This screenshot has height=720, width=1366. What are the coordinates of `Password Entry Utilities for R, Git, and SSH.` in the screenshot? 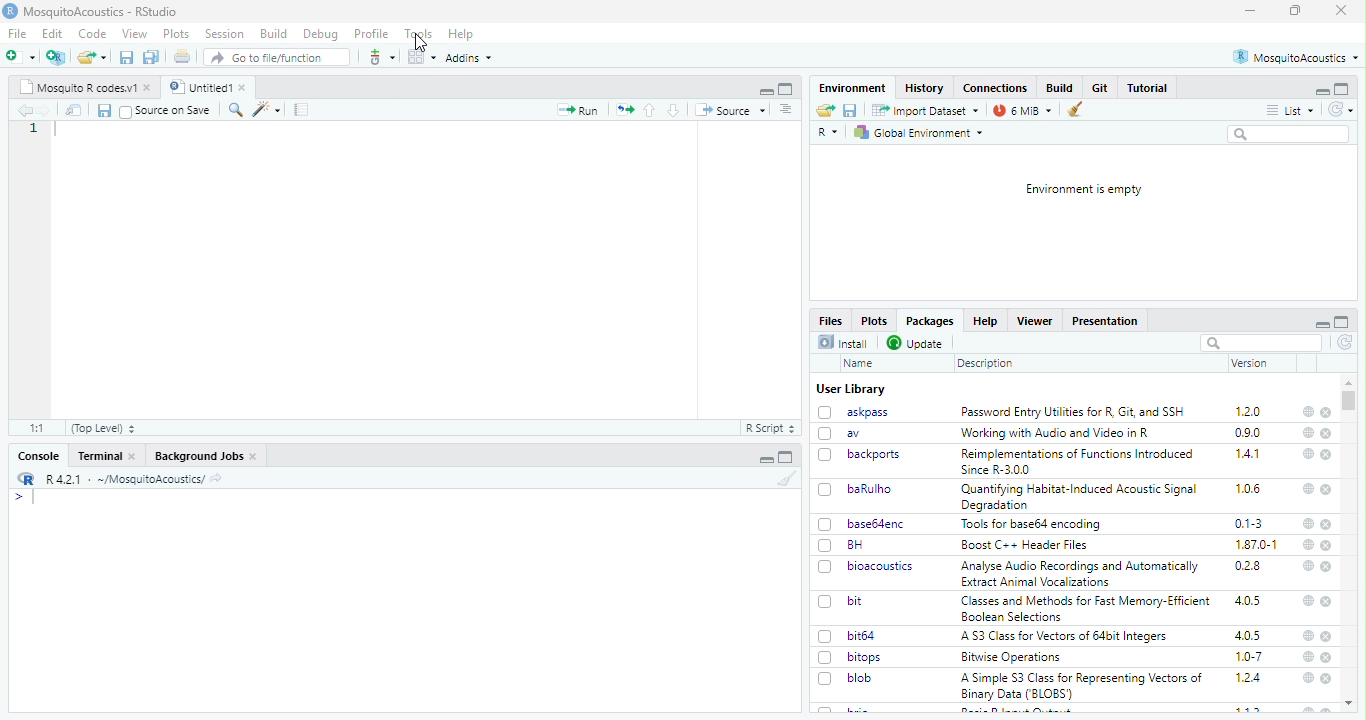 It's located at (1075, 411).